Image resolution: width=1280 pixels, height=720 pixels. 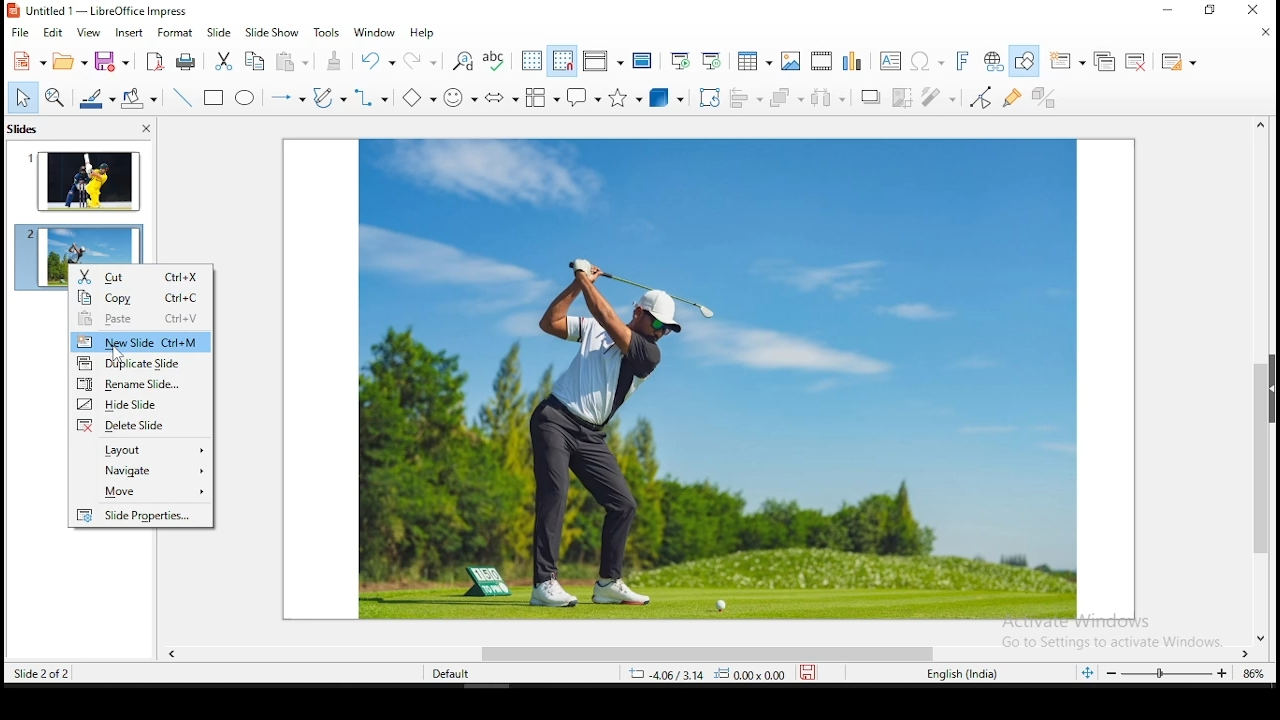 I want to click on display views, so click(x=604, y=59).